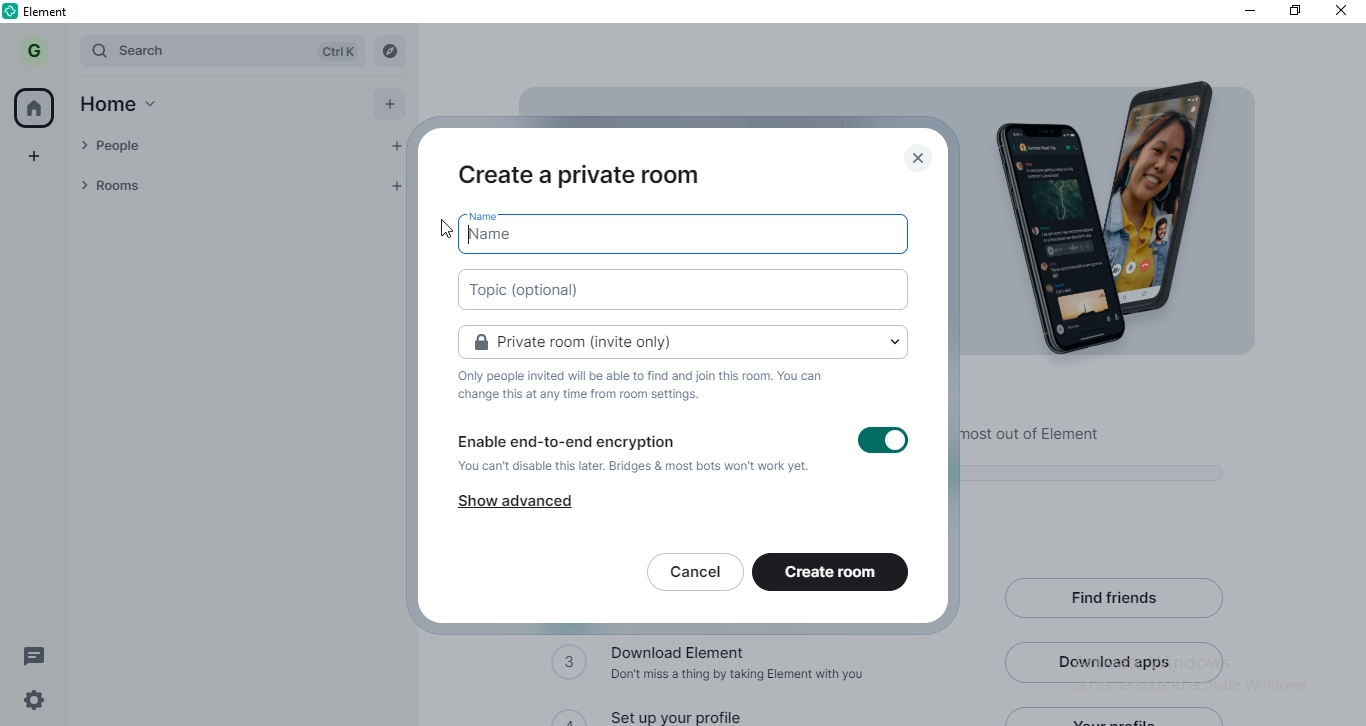  What do you see at coordinates (1116, 660) in the screenshot?
I see `download apps` at bounding box center [1116, 660].